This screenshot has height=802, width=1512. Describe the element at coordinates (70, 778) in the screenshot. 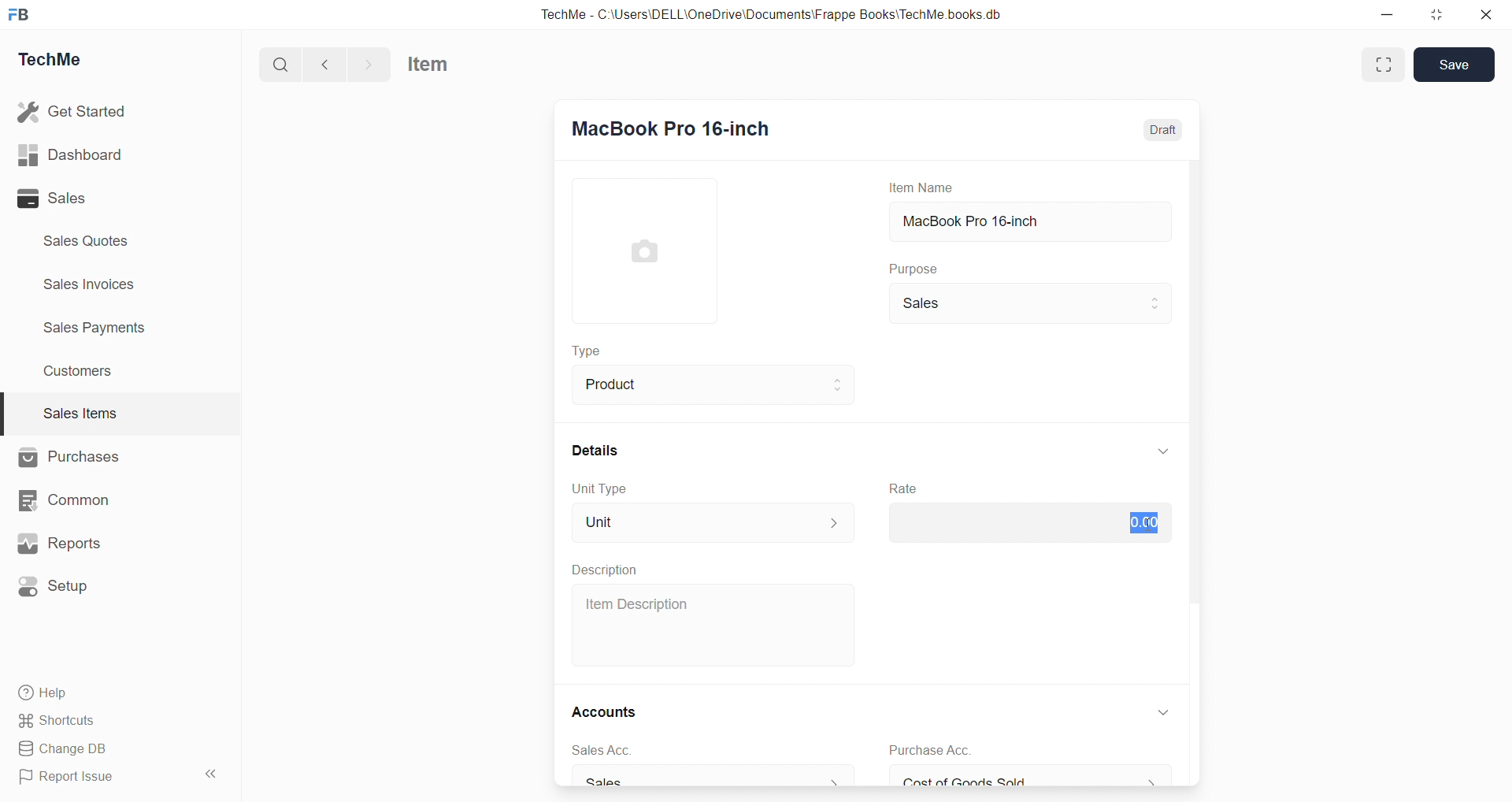

I see `Report Issue` at that location.